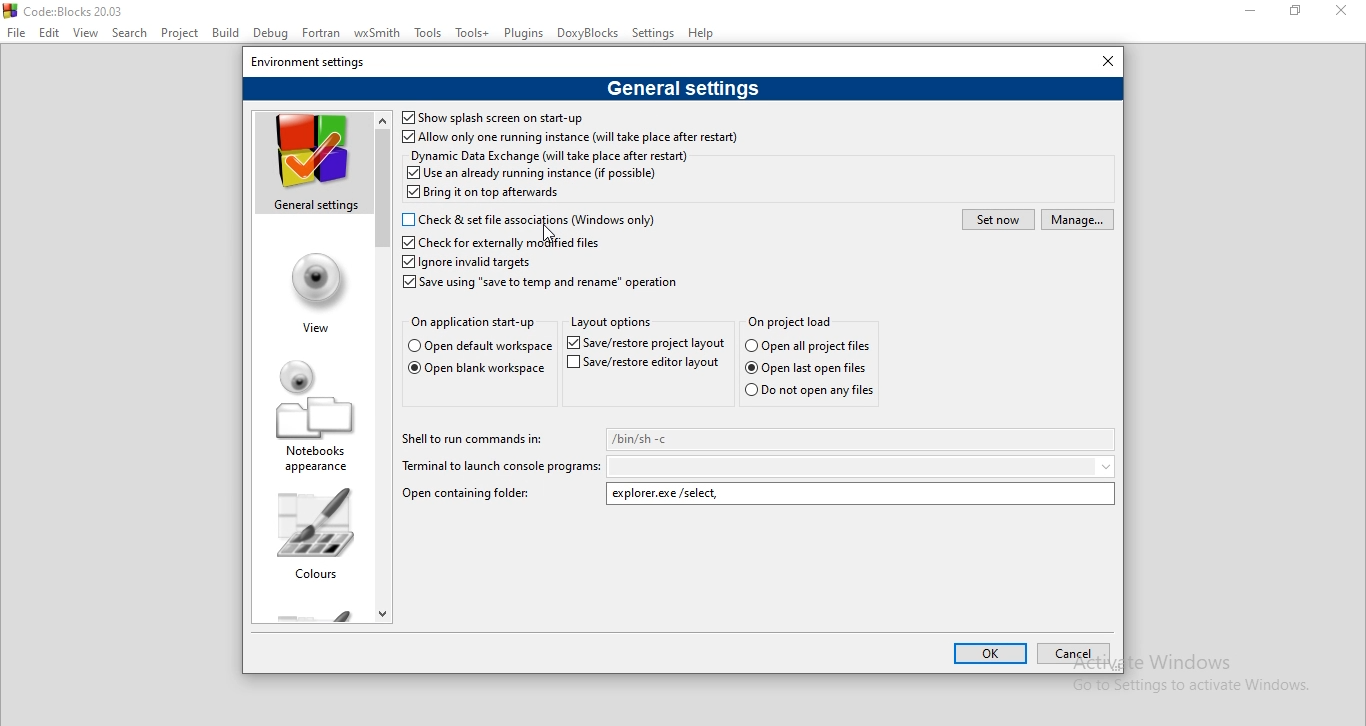  Describe the element at coordinates (270, 34) in the screenshot. I see `Debug` at that location.